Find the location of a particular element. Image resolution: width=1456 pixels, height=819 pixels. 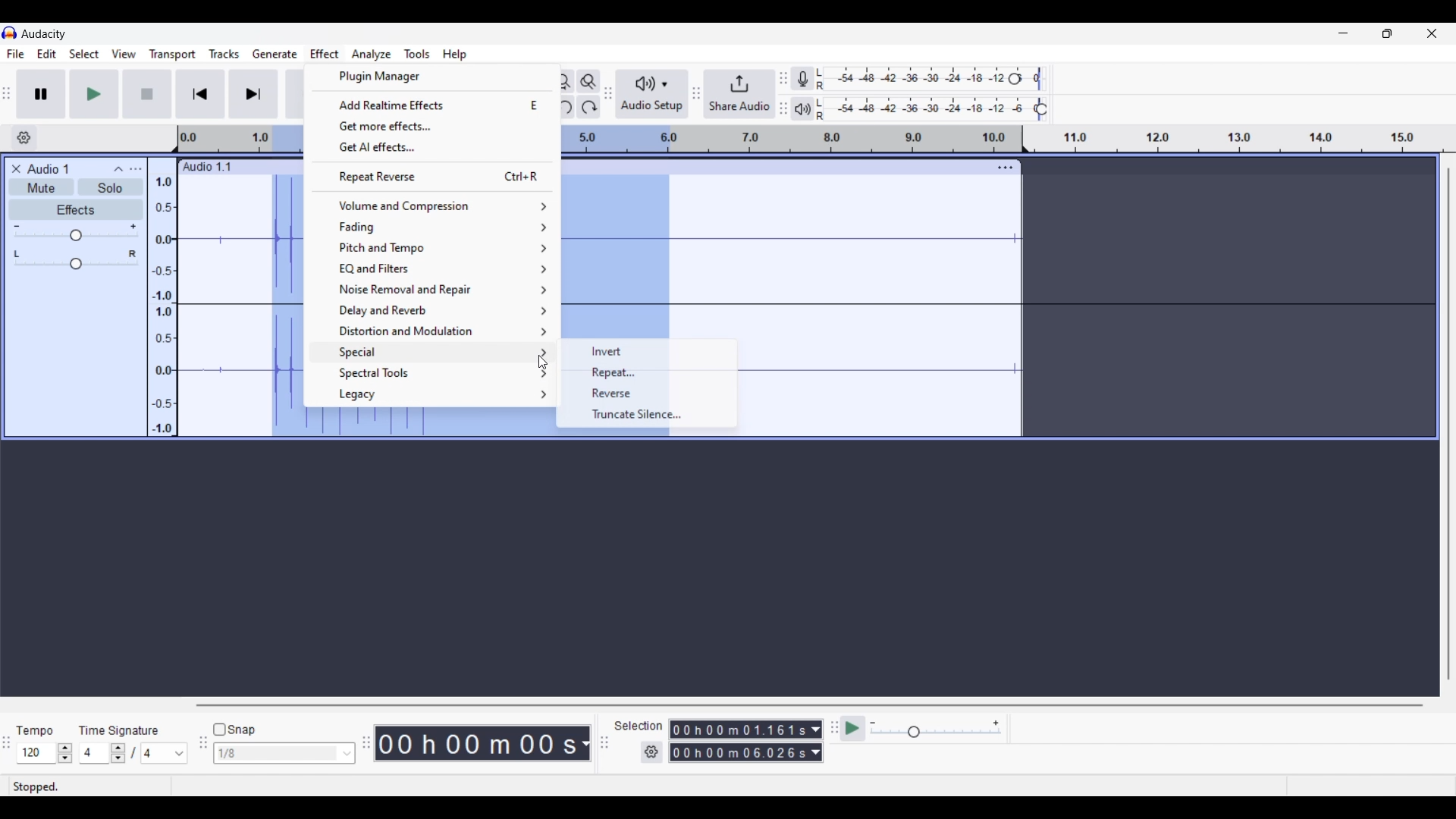

Name of audio track is located at coordinates (49, 168).